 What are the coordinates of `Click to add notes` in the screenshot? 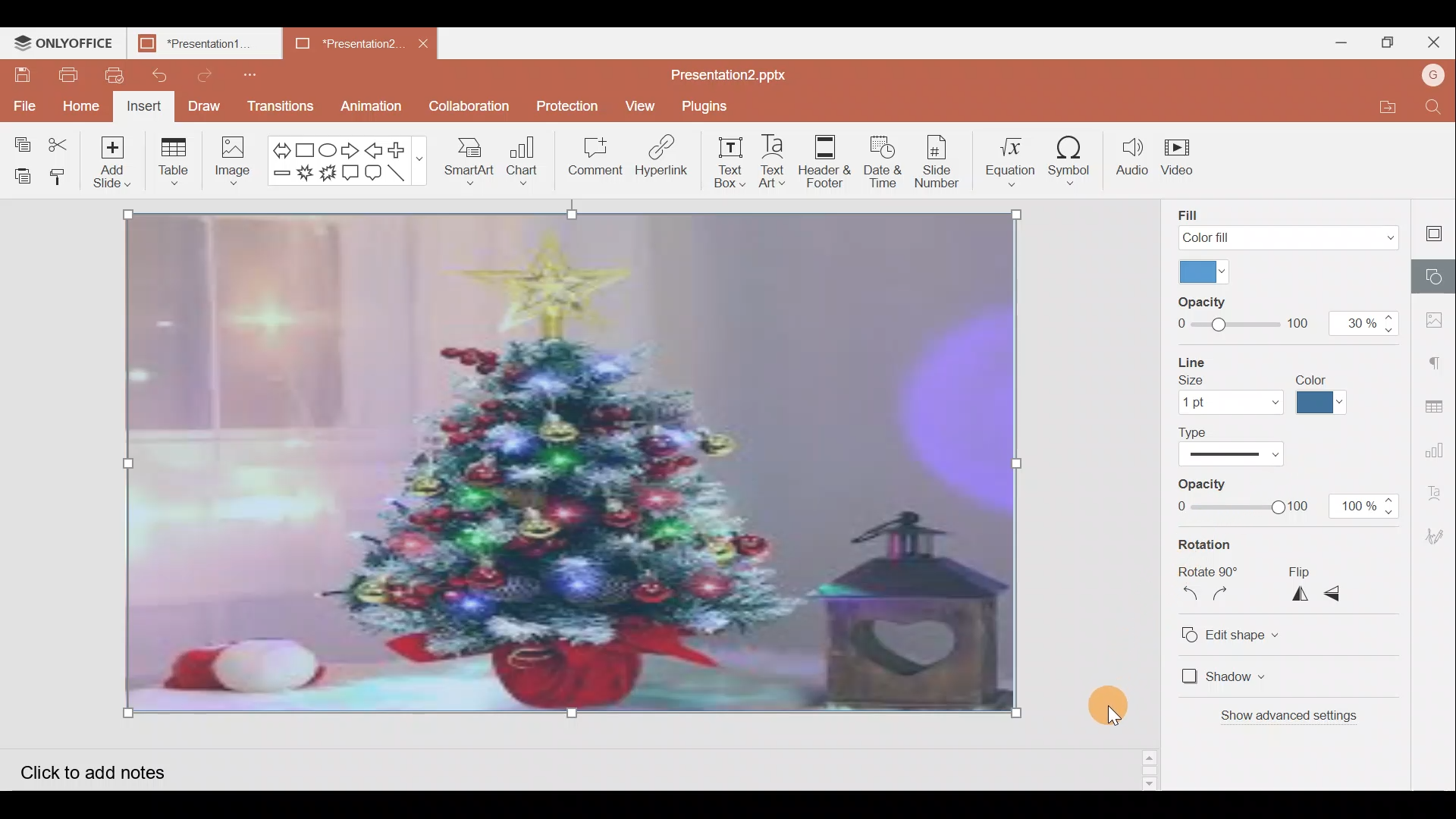 It's located at (104, 767).